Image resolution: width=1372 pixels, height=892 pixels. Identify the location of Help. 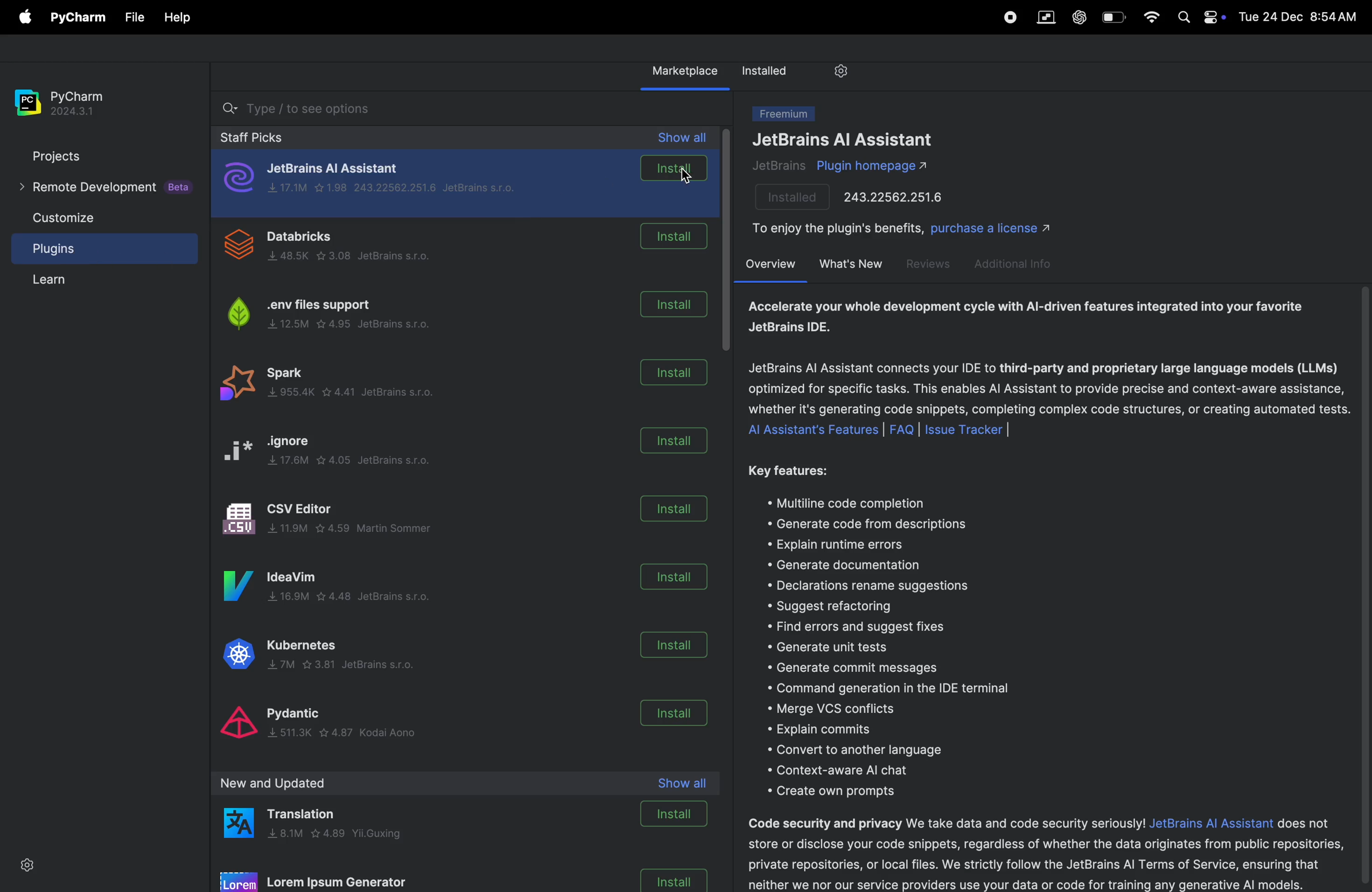
(178, 18).